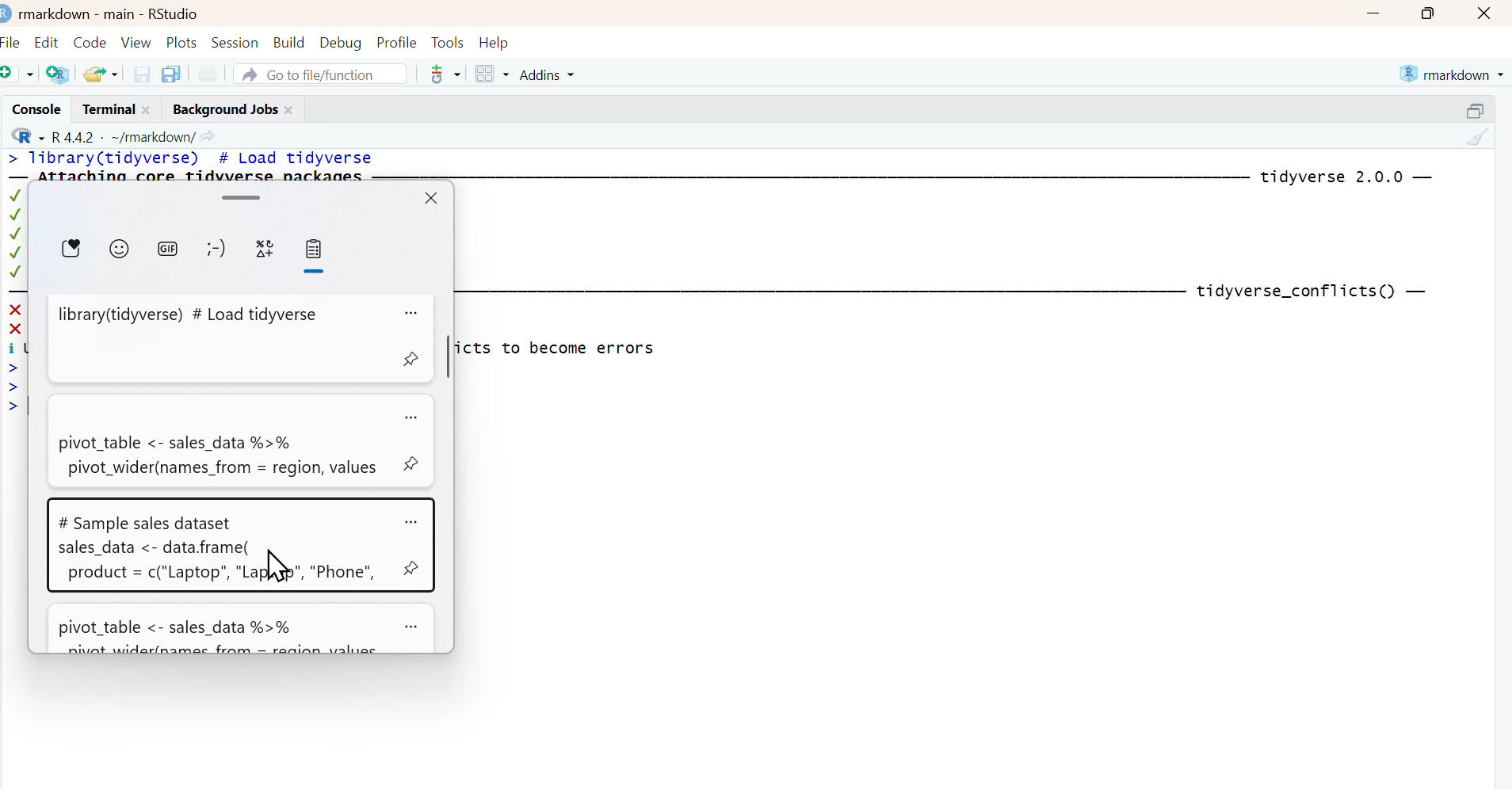  Describe the element at coordinates (413, 310) in the screenshot. I see `options` at that location.